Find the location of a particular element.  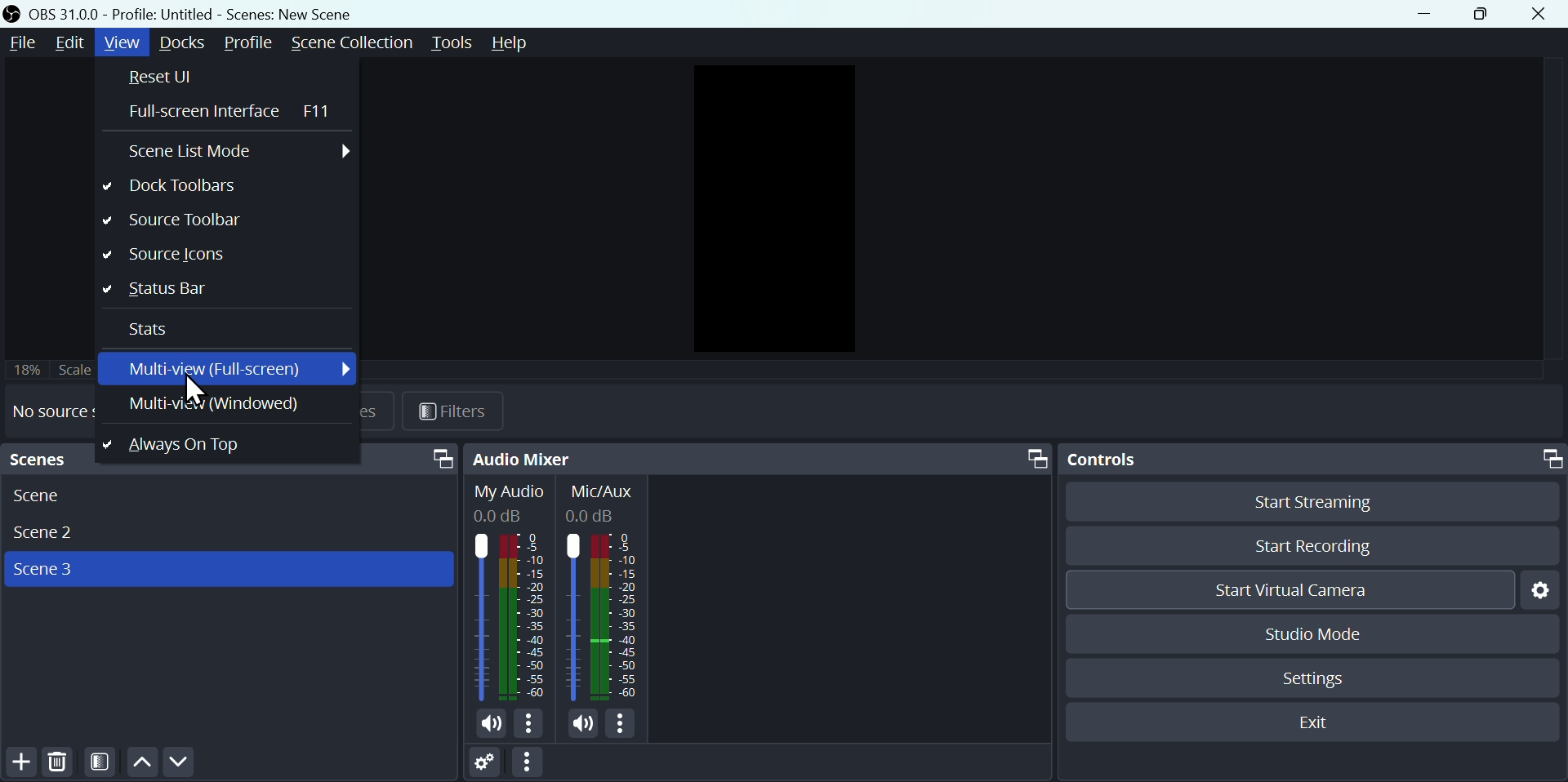

Desktop Audio is located at coordinates (510, 593).